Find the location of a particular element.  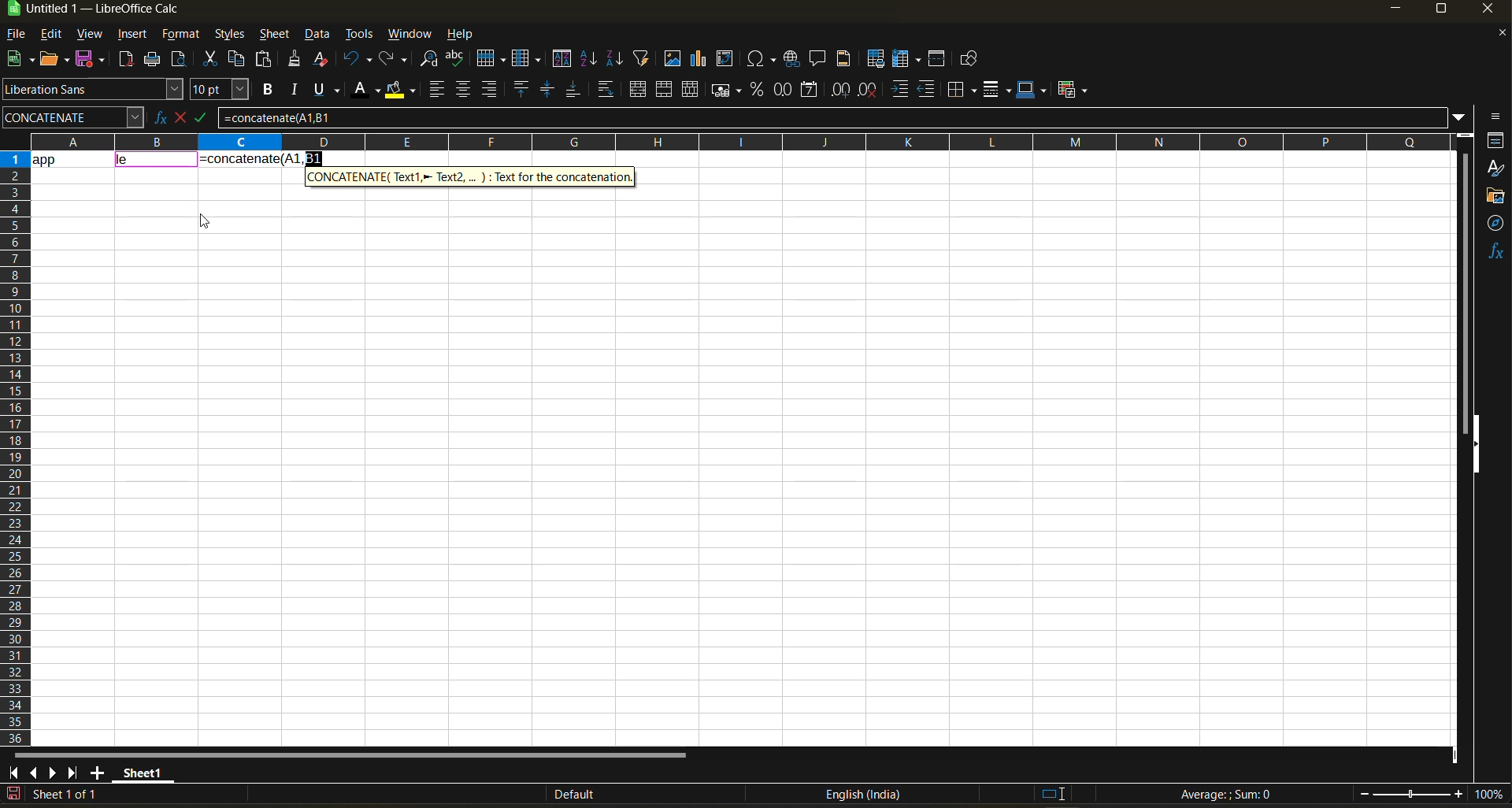

scroll to previous sheet is located at coordinates (34, 772).